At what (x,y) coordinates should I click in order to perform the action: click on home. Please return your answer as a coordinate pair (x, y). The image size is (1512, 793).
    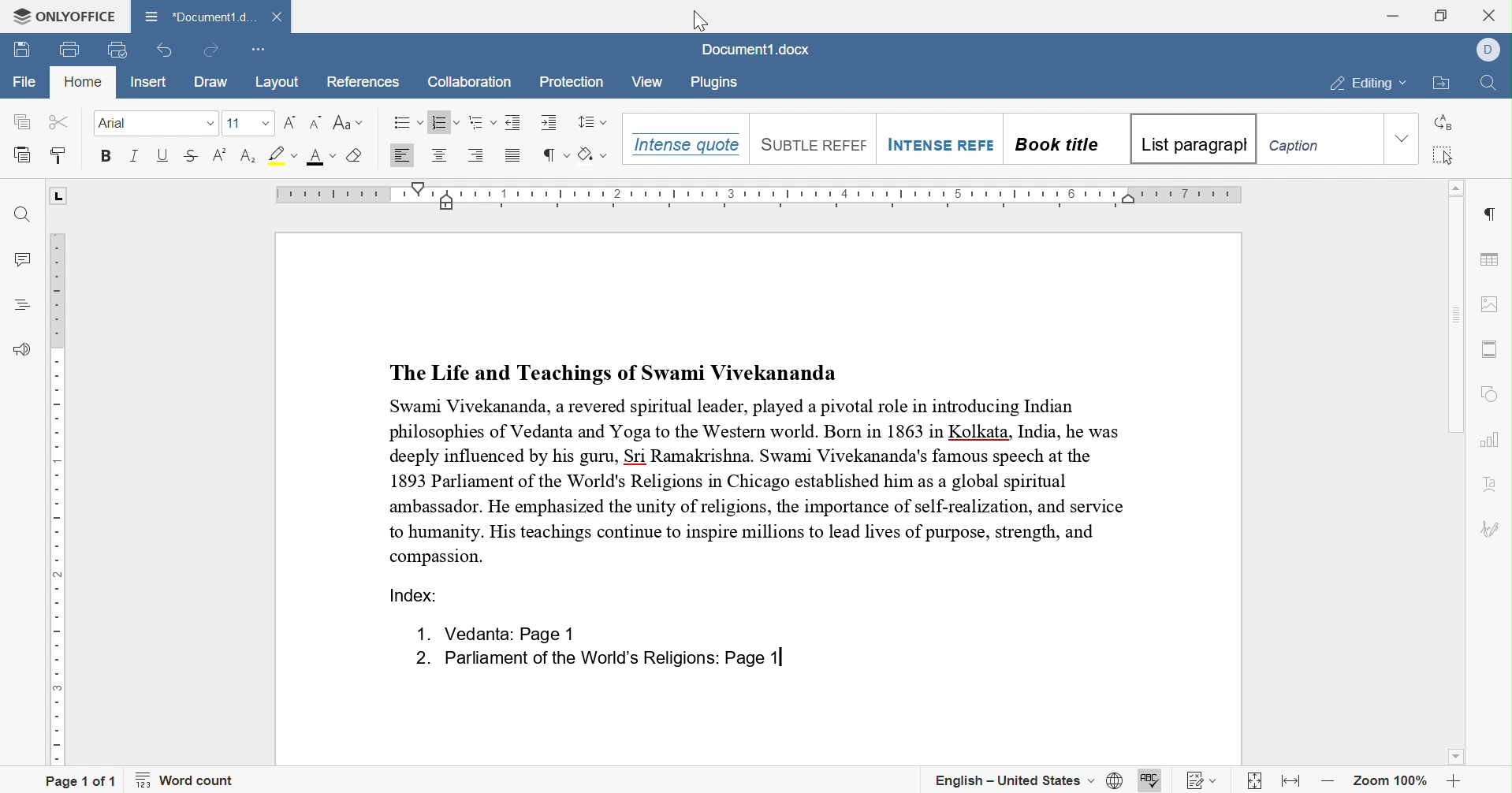
    Looking at the image, I should click on (83, 81).